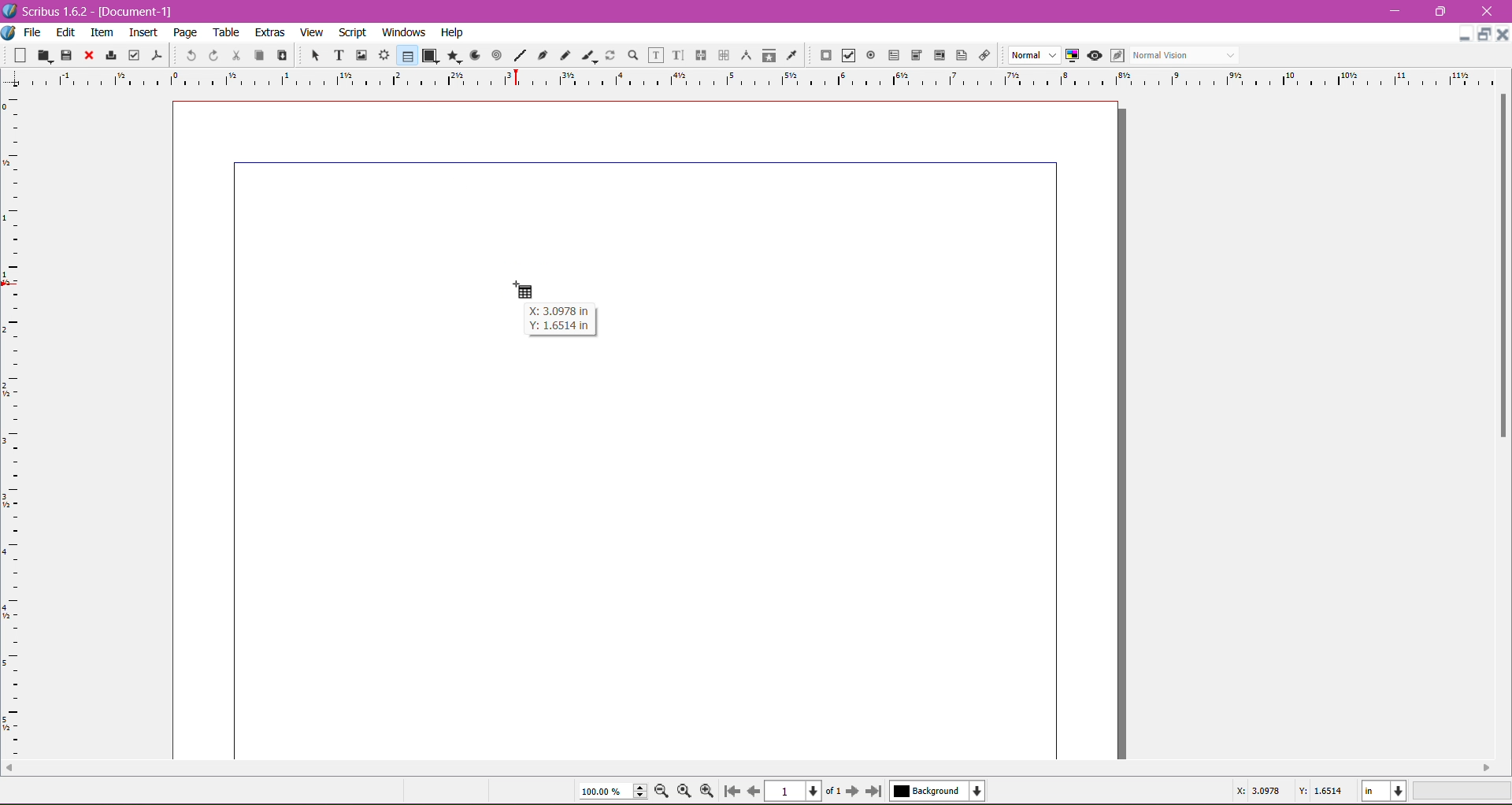 The image size is (1512, 805). I want to click on Minimize, so click(1465, 32).